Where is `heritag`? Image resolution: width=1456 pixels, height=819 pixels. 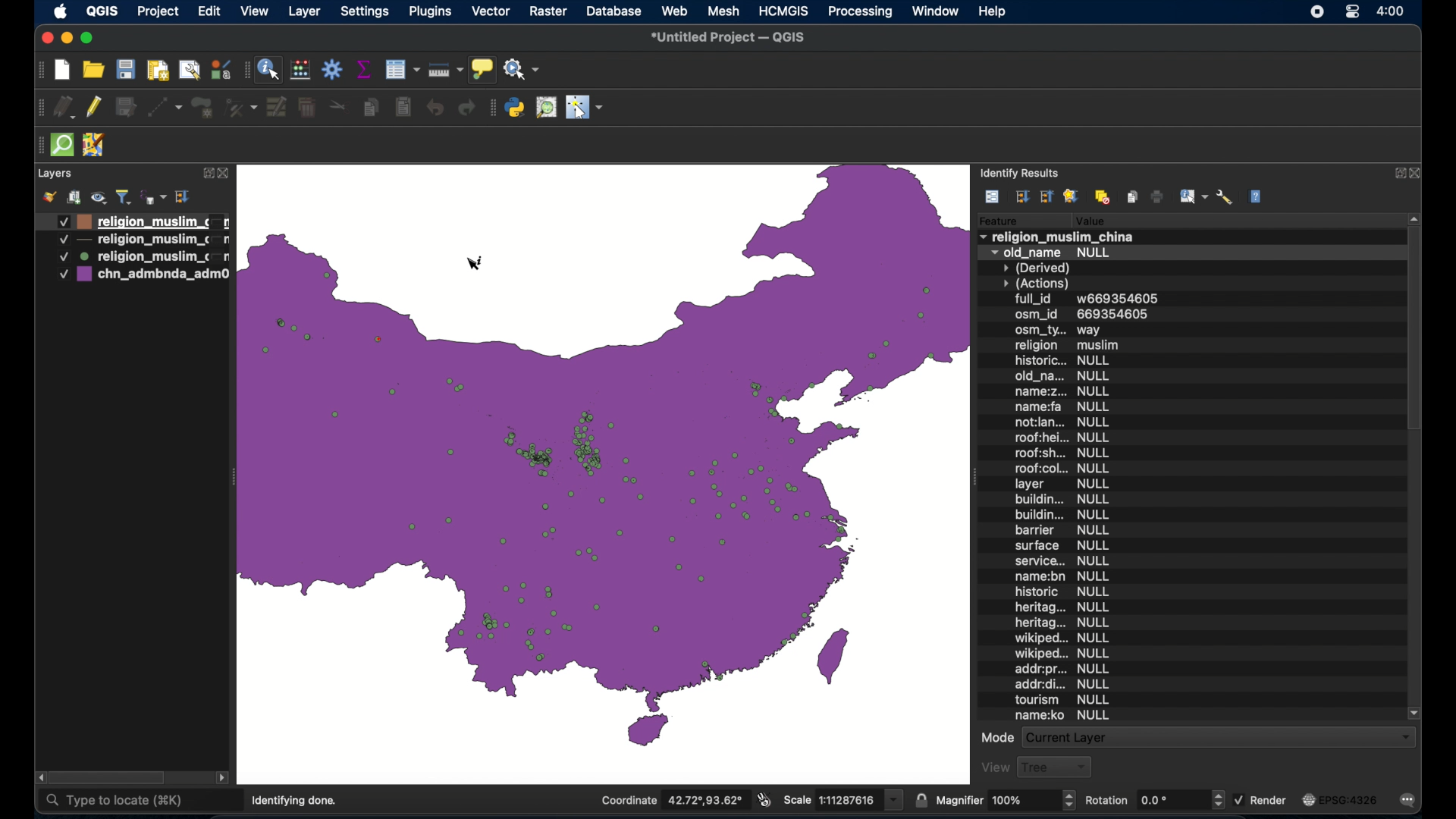 heritag is located at coordinates (1060, 624).